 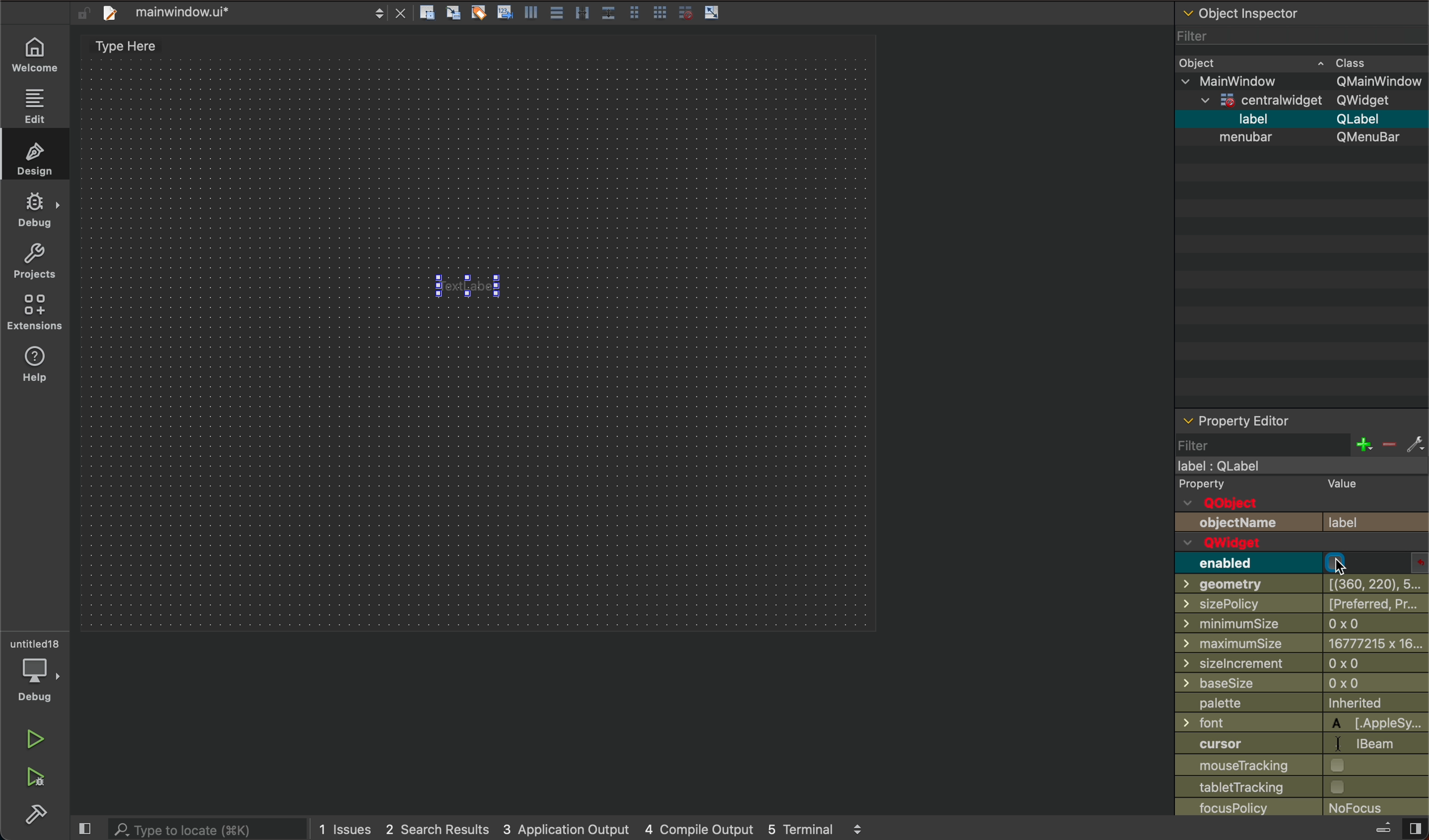 What do you see at coordinates (1372, 584) in the screenshot?
I see `[(360, 220), 5...` at bounding box center [1372, 584].